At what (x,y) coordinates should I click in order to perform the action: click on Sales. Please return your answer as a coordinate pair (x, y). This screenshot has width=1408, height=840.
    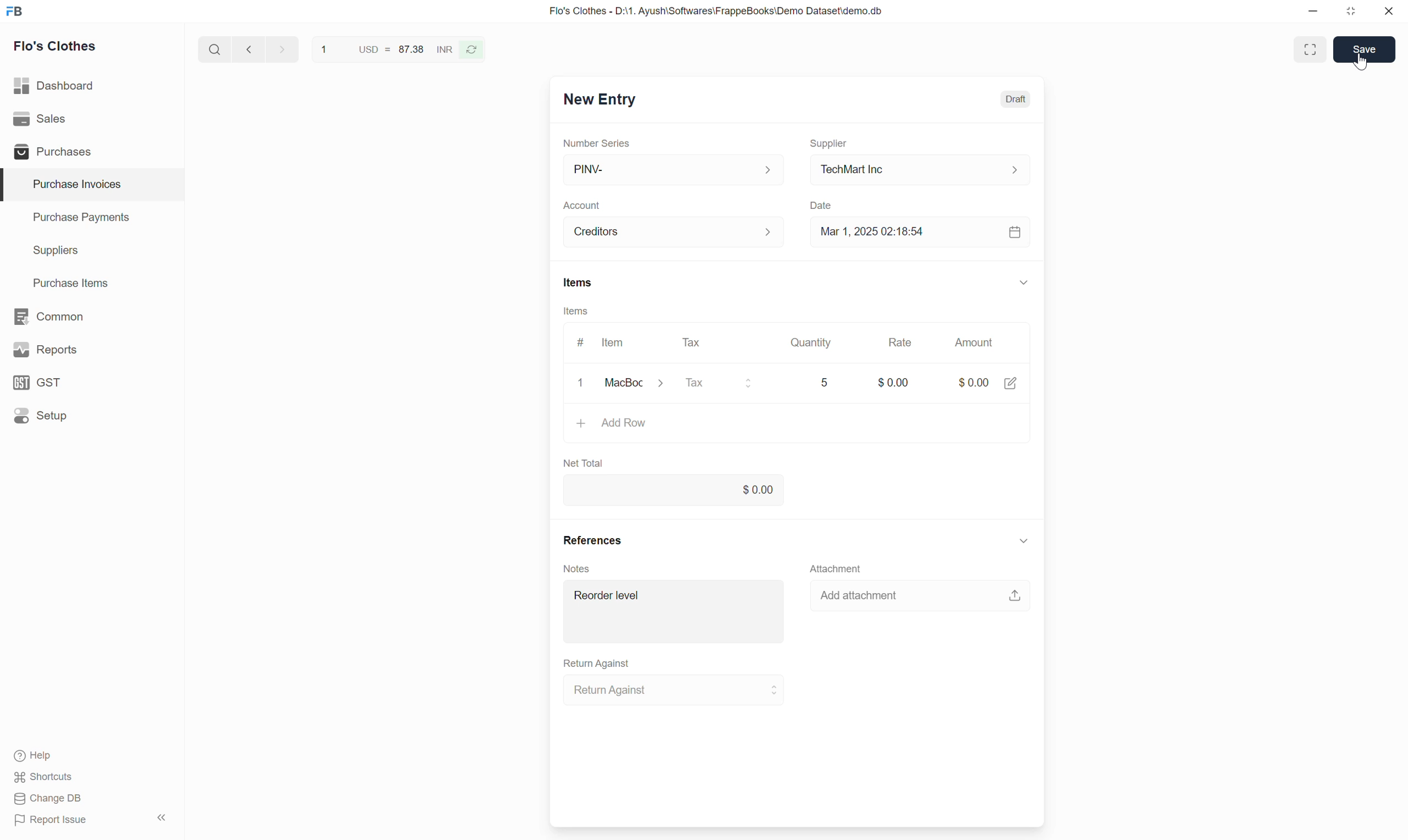
    Looking at the image, I should click on (92, 119).